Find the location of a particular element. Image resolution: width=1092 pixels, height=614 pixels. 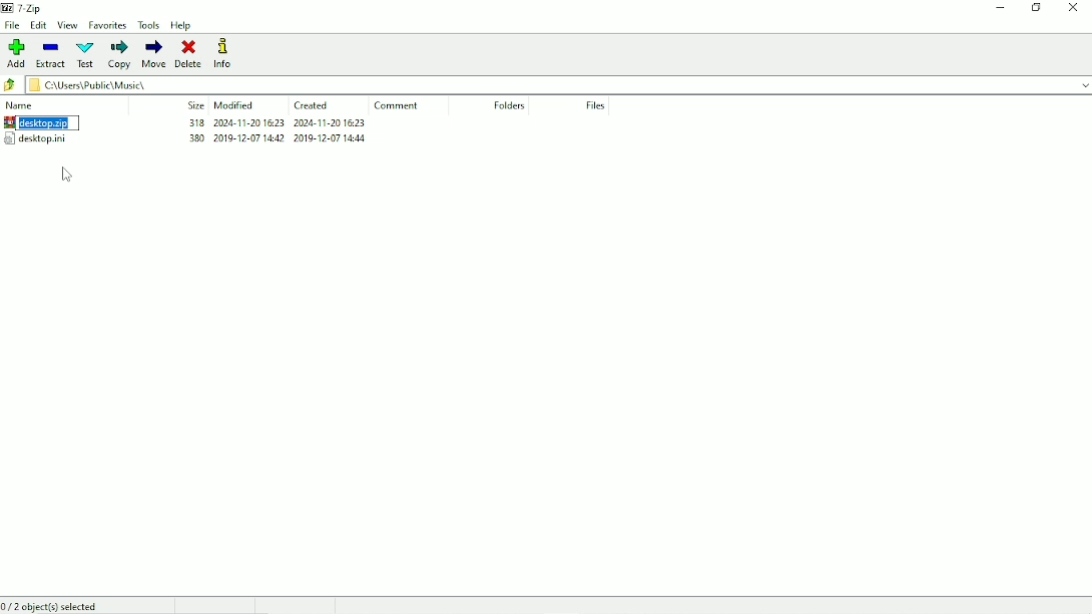

desktop.ini is located at coordinates (35, 138).